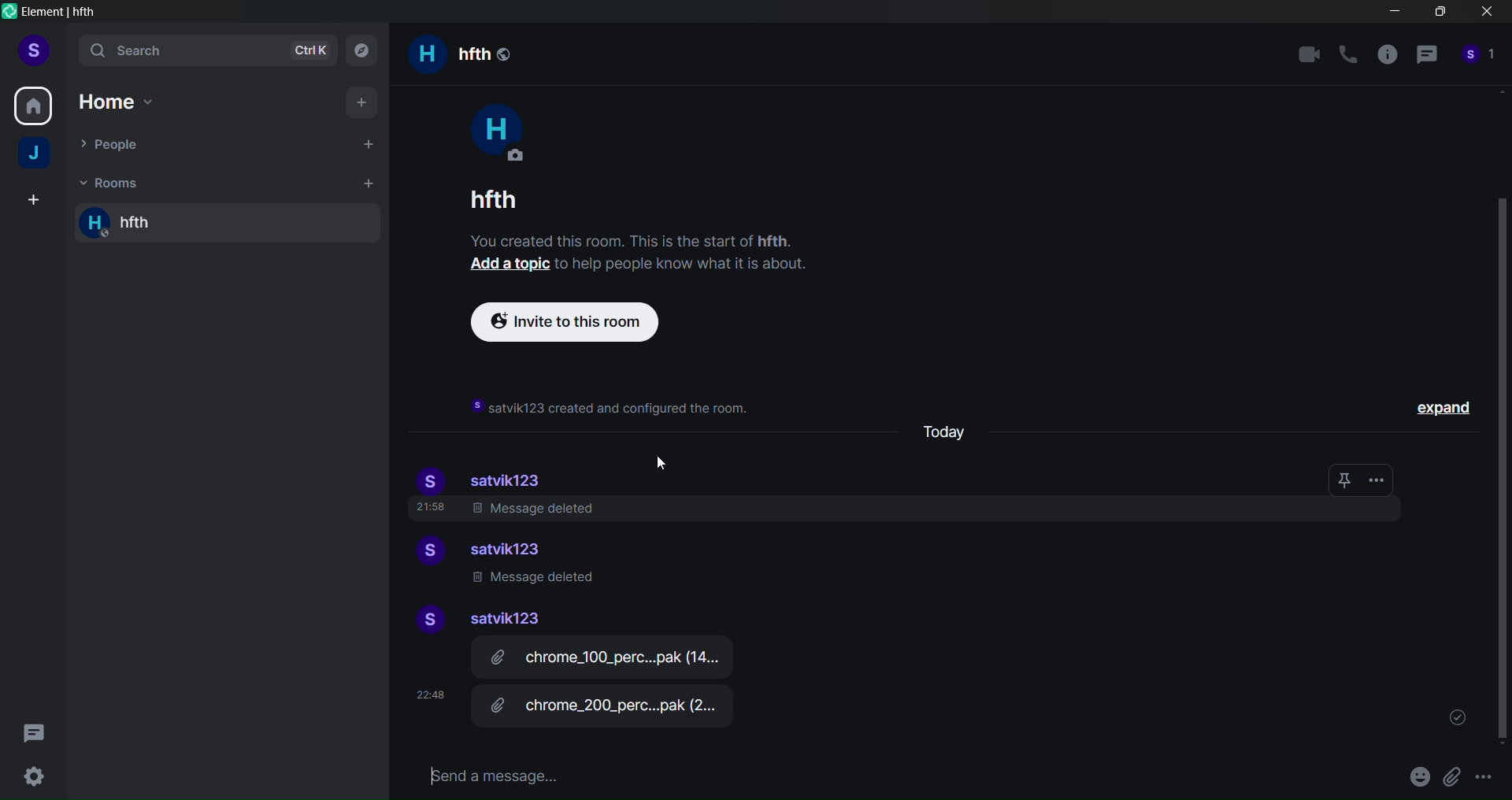 Image resolution: width=1512 pixels, height=800 pixels. I want to click on threads, so click(36, 728).